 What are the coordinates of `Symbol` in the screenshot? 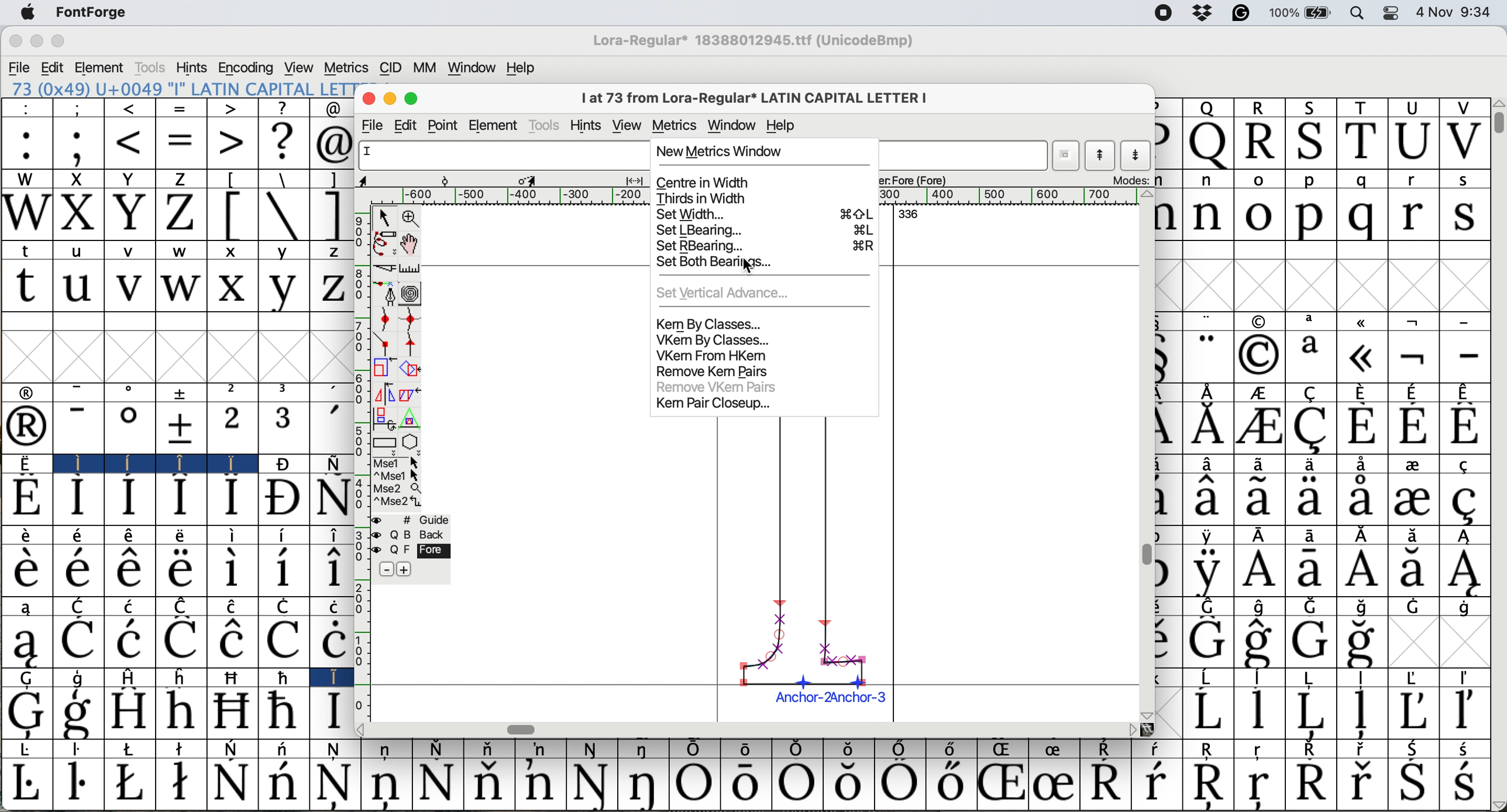 It's located at (1415, 676).